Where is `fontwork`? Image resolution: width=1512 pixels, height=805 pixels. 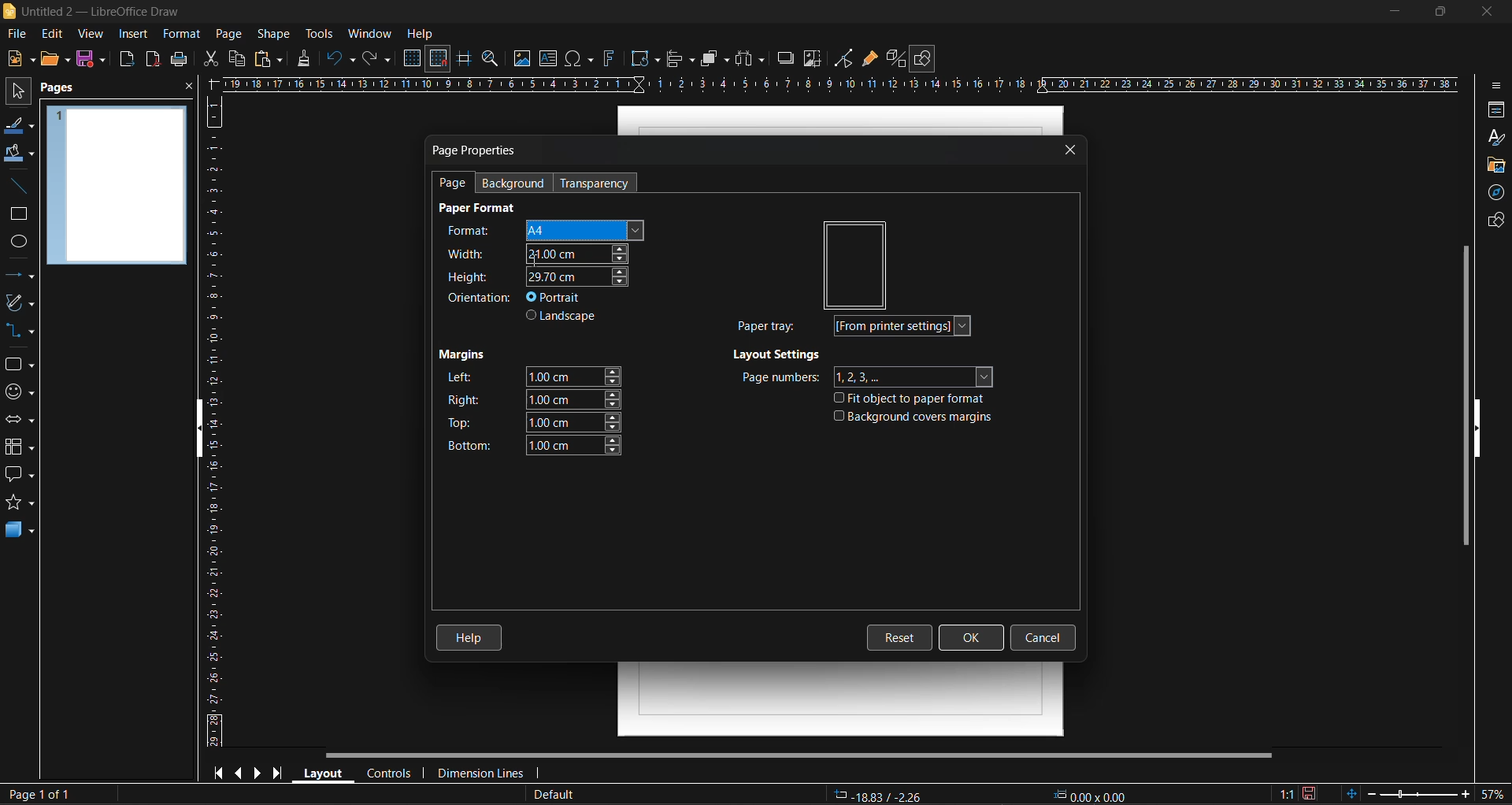
fontwork is located at coordinates (609, 61).